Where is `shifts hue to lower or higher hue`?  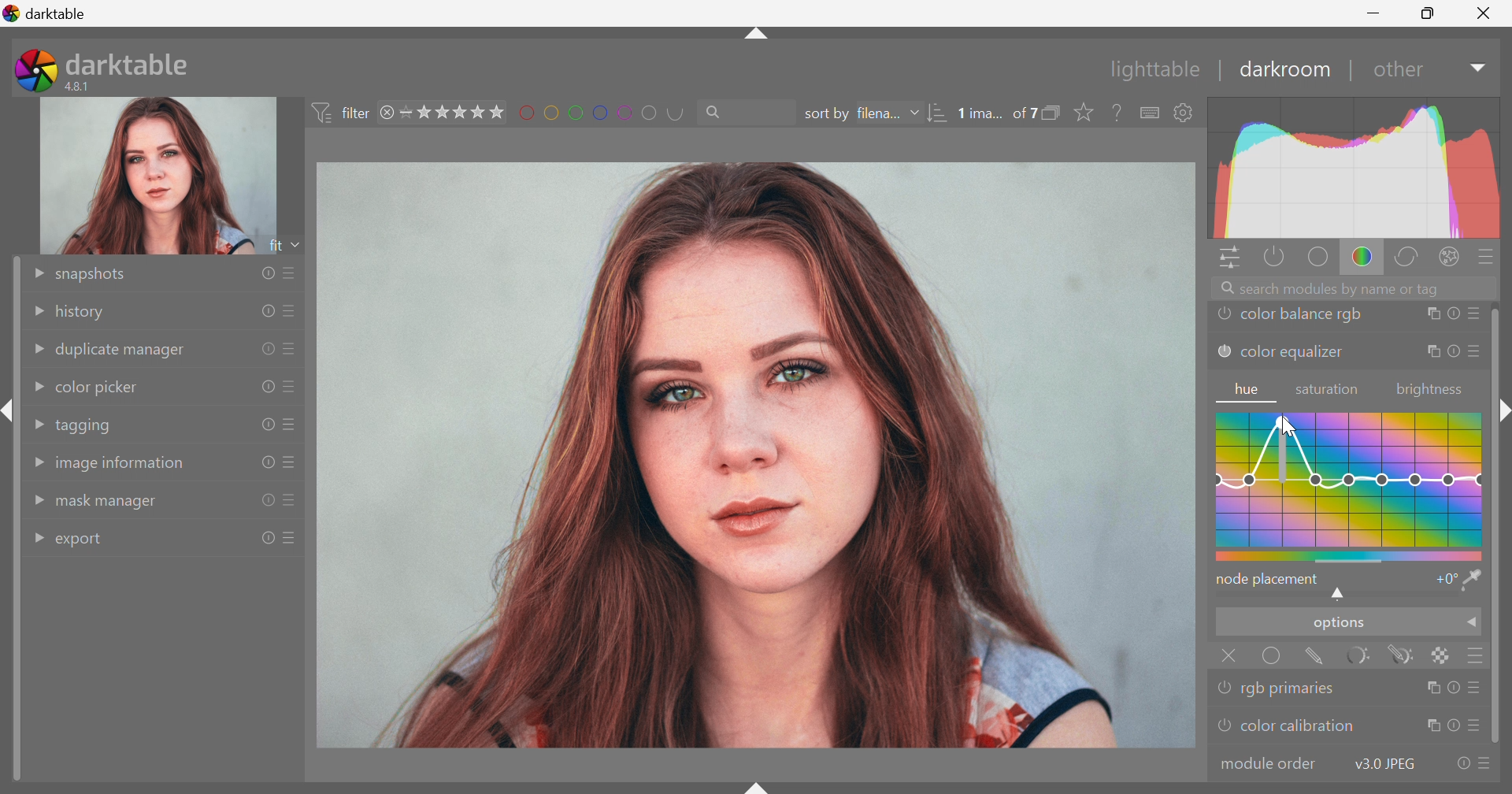 shifts hue to lower or higher hue is located at coordinates (1341, 595).